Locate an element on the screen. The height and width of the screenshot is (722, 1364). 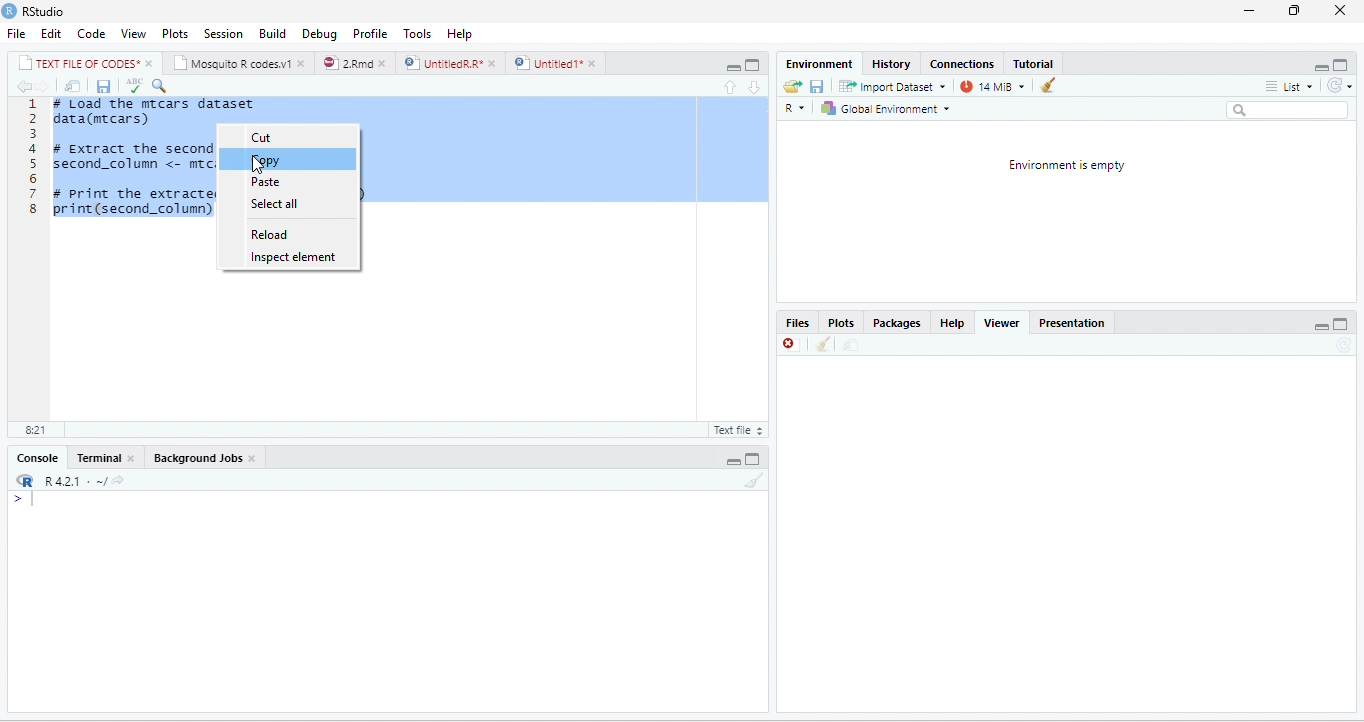
close is located at coordinates (304, 63).